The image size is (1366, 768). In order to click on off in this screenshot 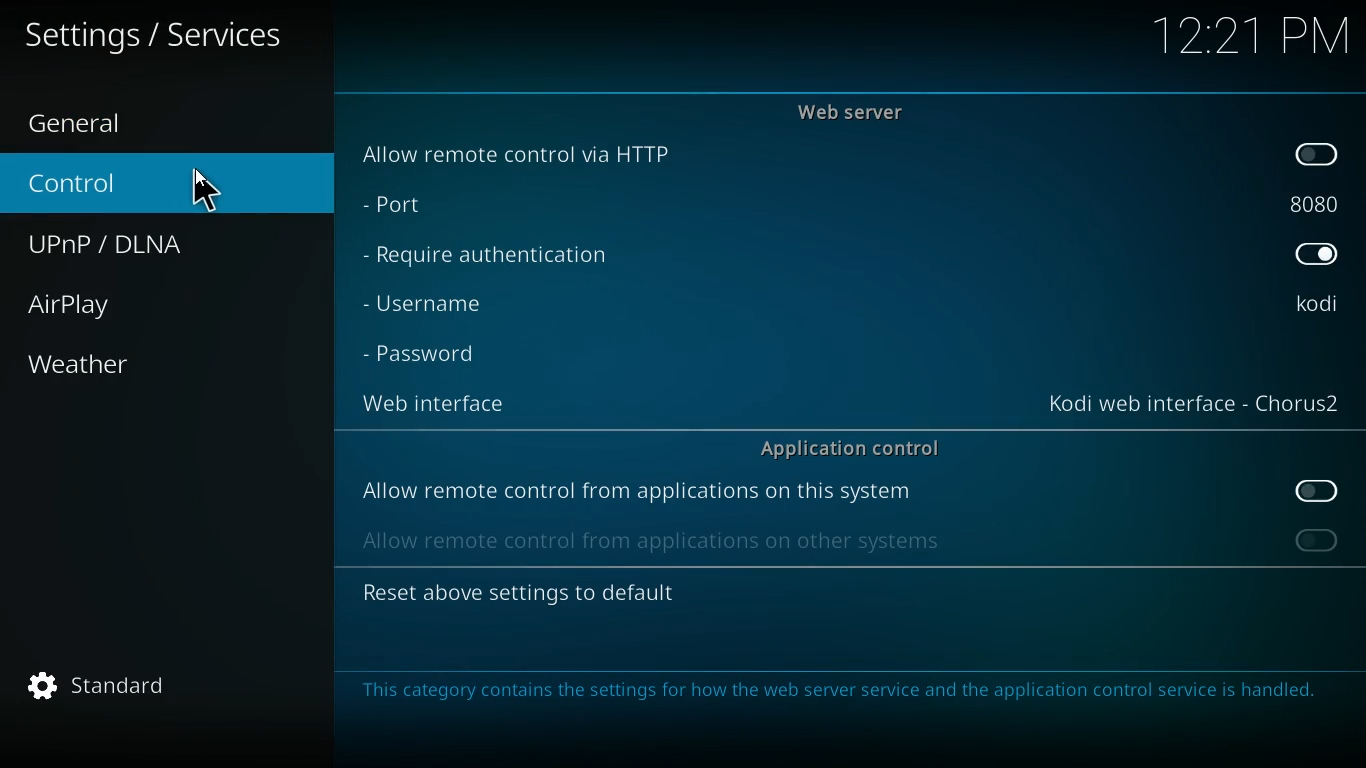, I will do `click(1317, 543)`.